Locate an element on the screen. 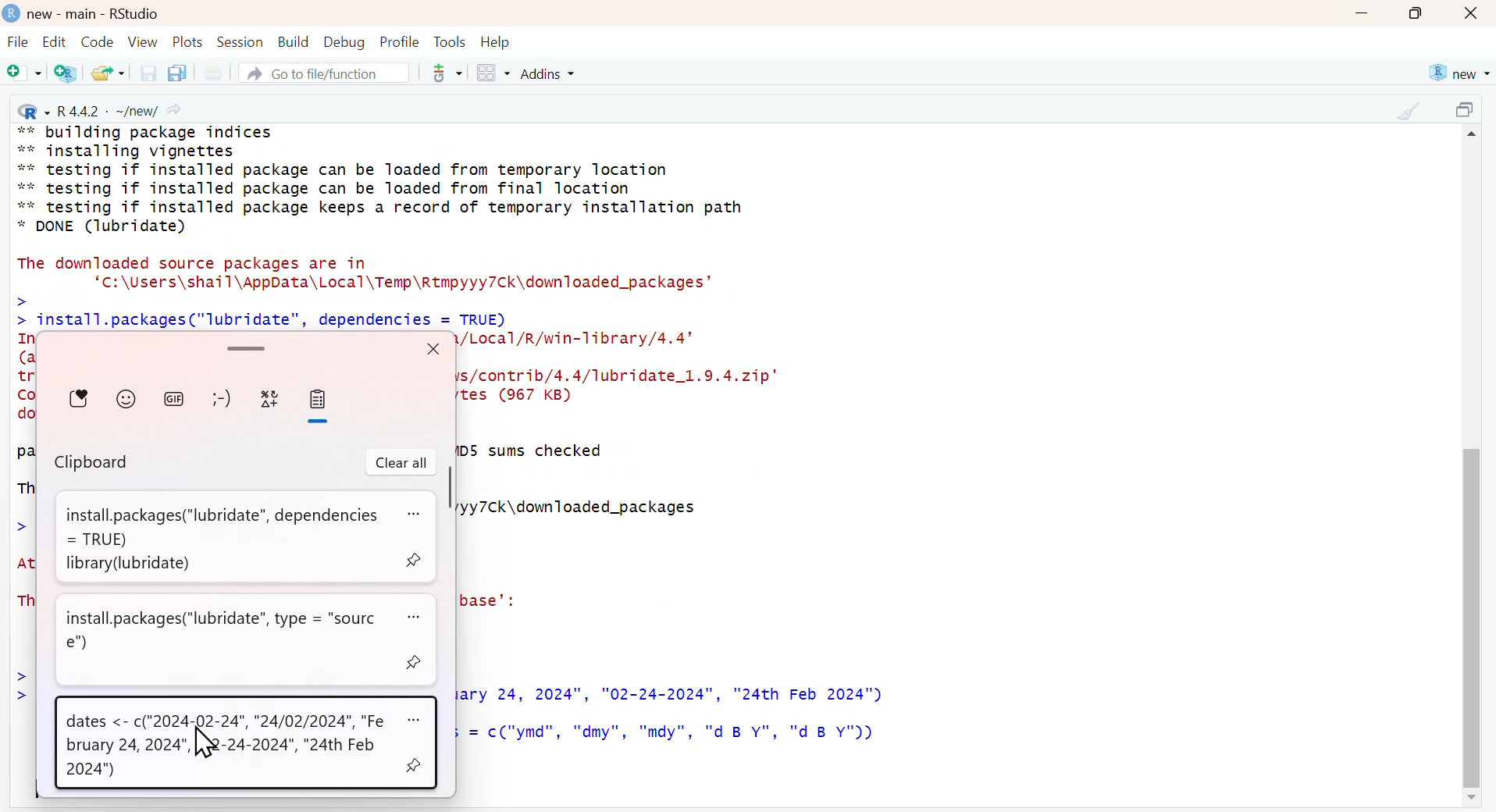 This screenshot has width=1496, height=812. Emoji is located at coordinates (126, 397).